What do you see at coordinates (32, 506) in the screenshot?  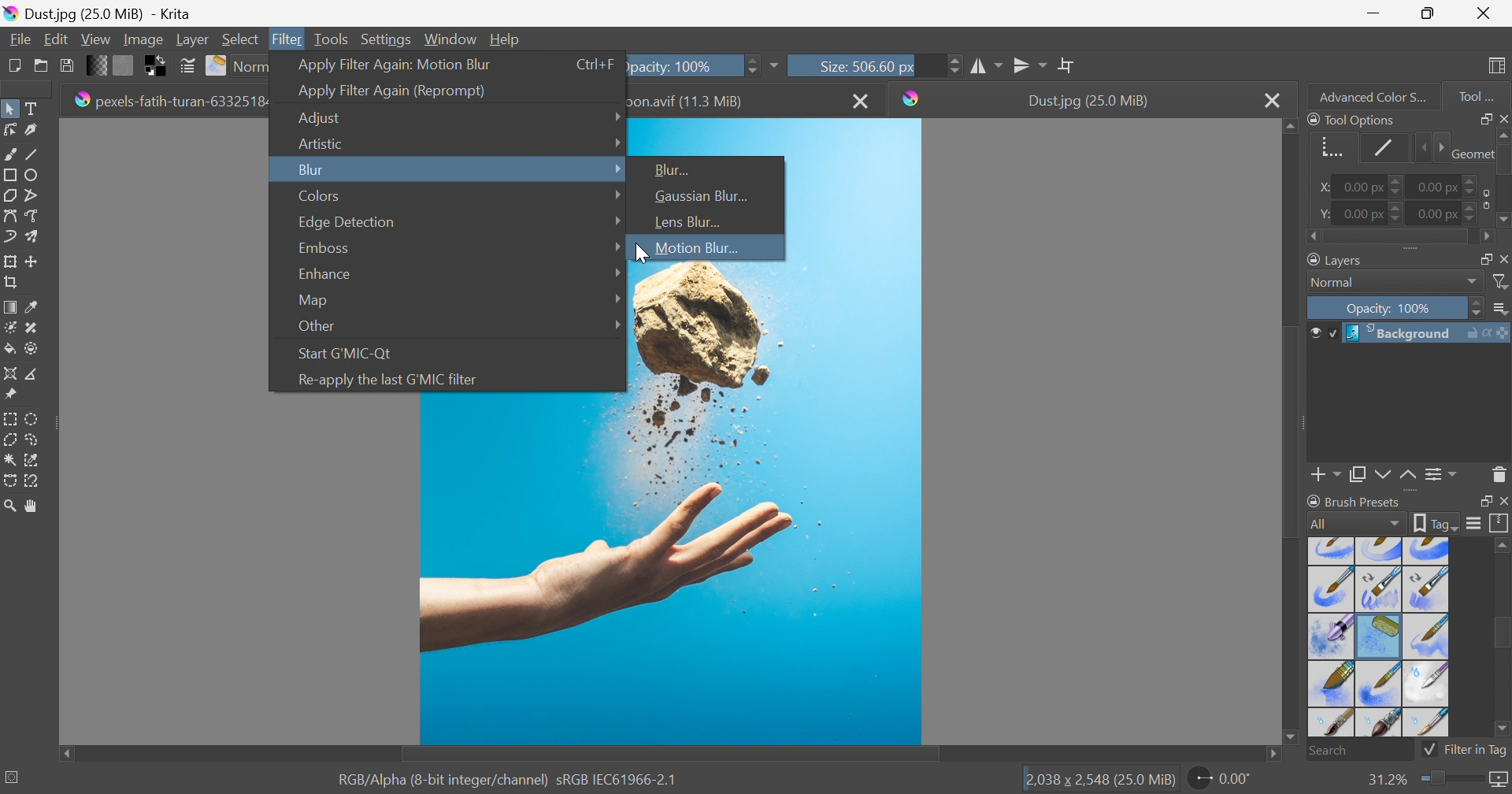 I see `Pan tool` at bounding box center [32, 506].